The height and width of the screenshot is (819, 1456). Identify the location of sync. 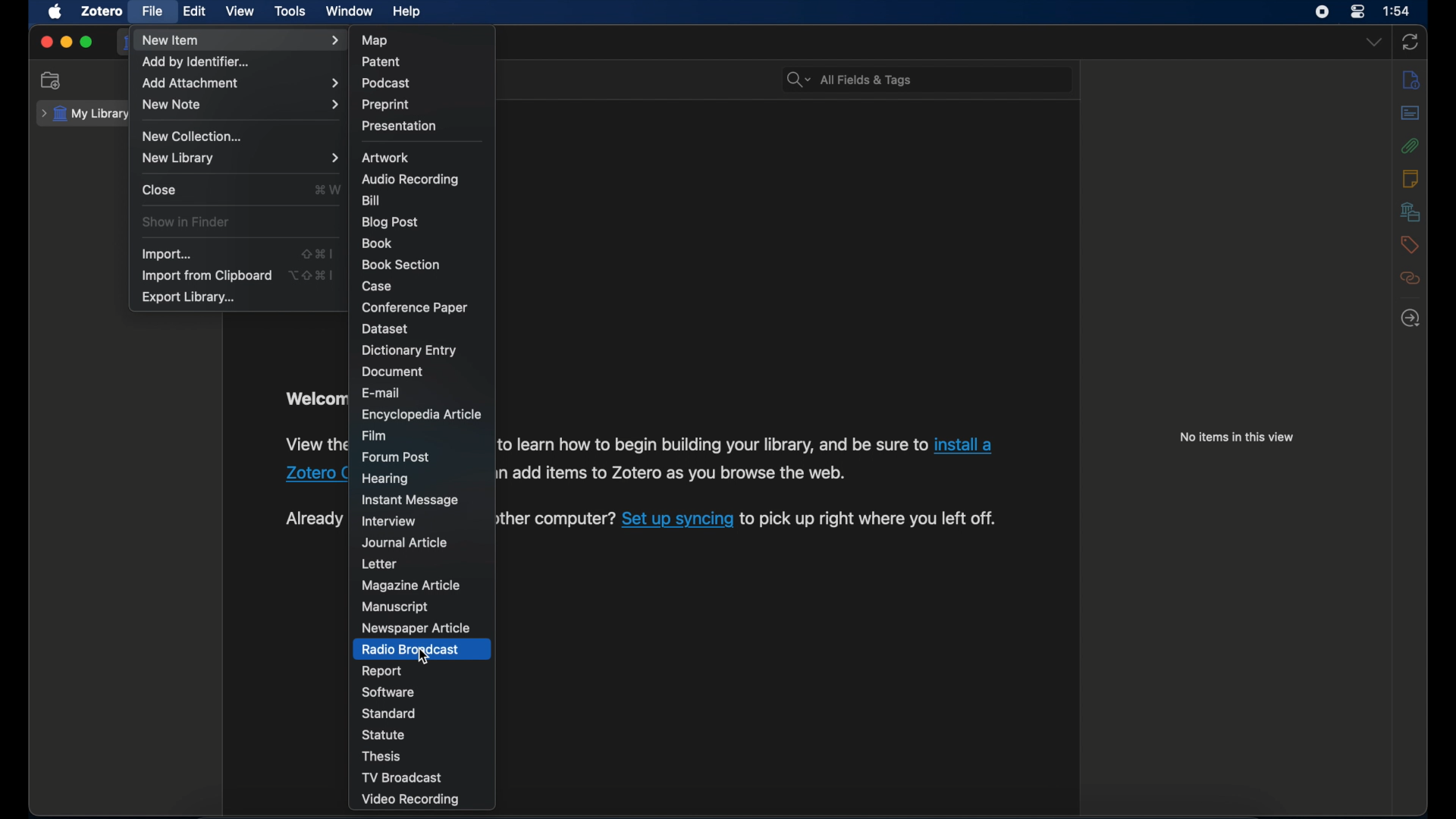
(1412, 42).